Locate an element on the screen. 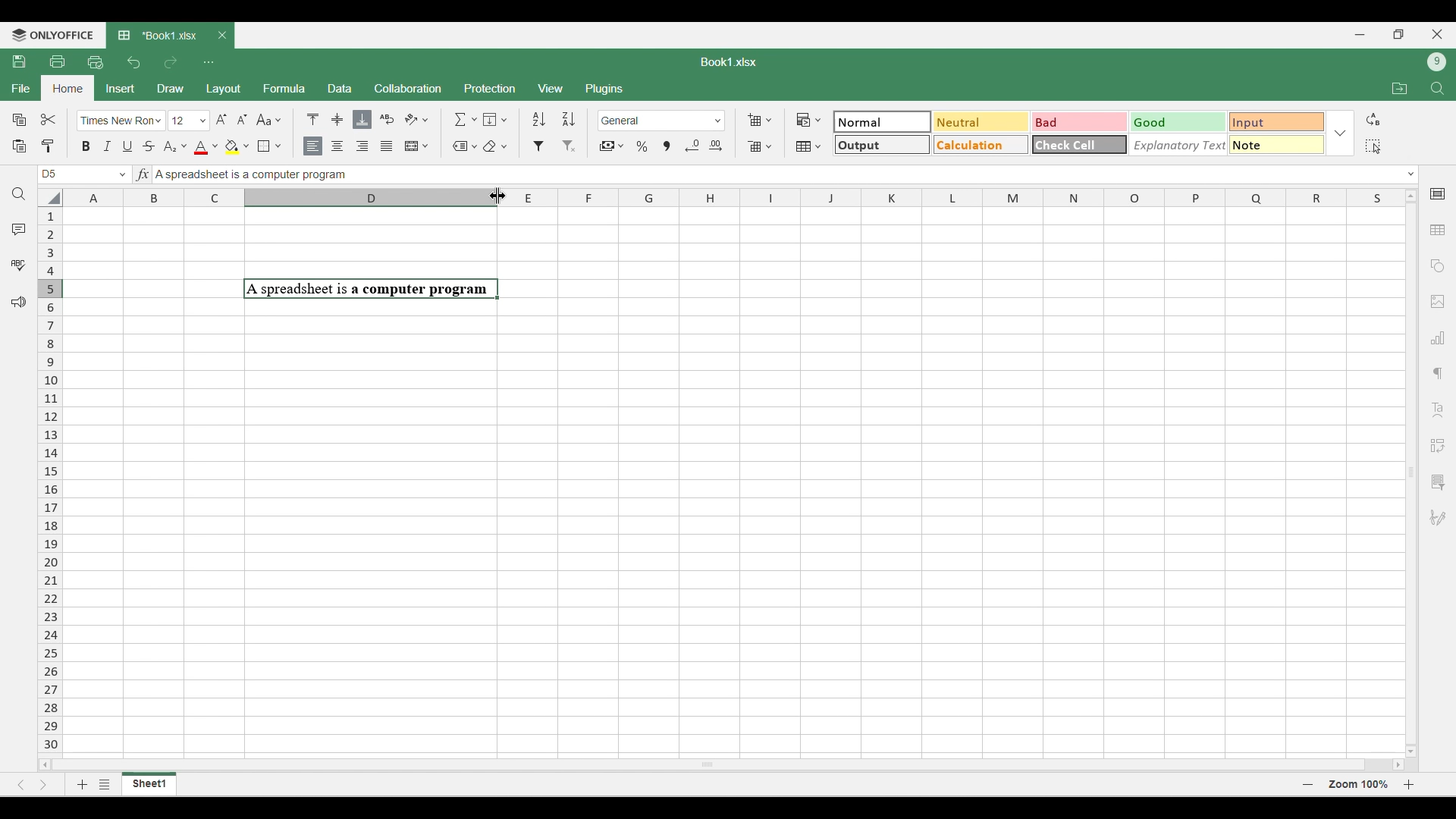  ONLYOFFICE's software logo is located at coordinates (53, 36).